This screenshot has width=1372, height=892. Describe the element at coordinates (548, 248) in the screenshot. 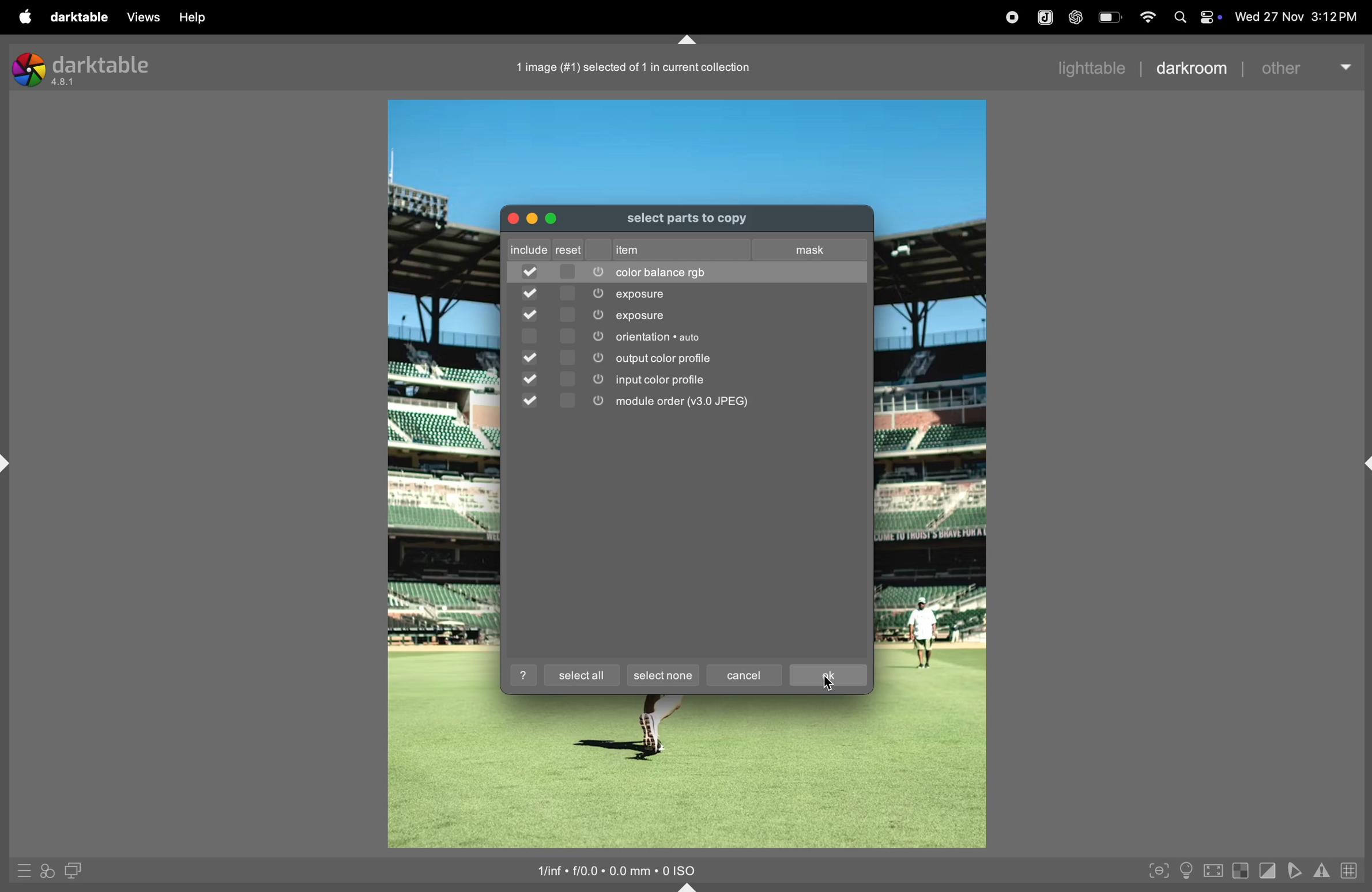

I see `include` at that location.